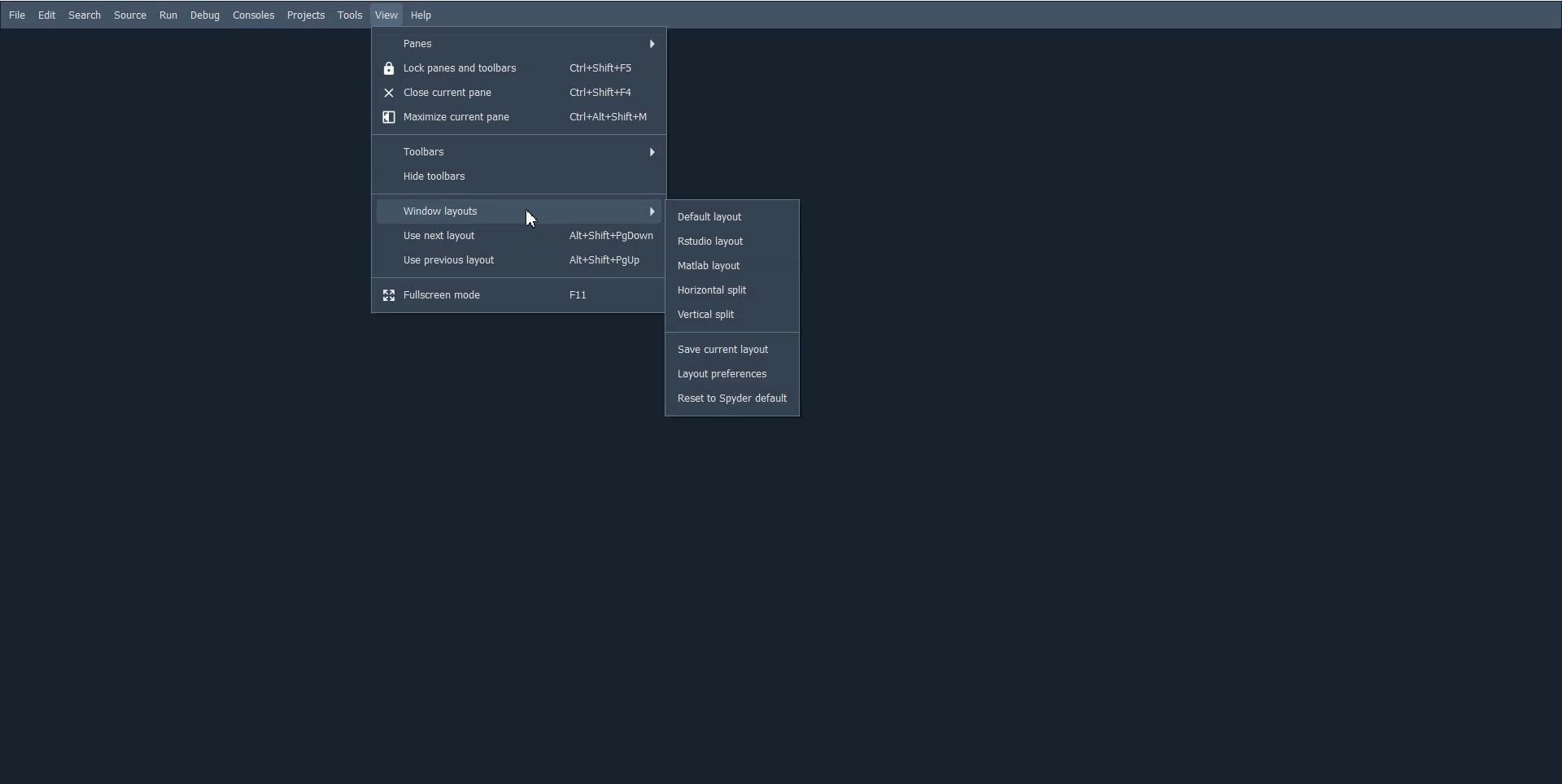 The height and width of the screenshot is (784, 1562). What do you see at coordinates (168, 15) in the screenshot?
I see `RUN` at bounding box center [168, 15].